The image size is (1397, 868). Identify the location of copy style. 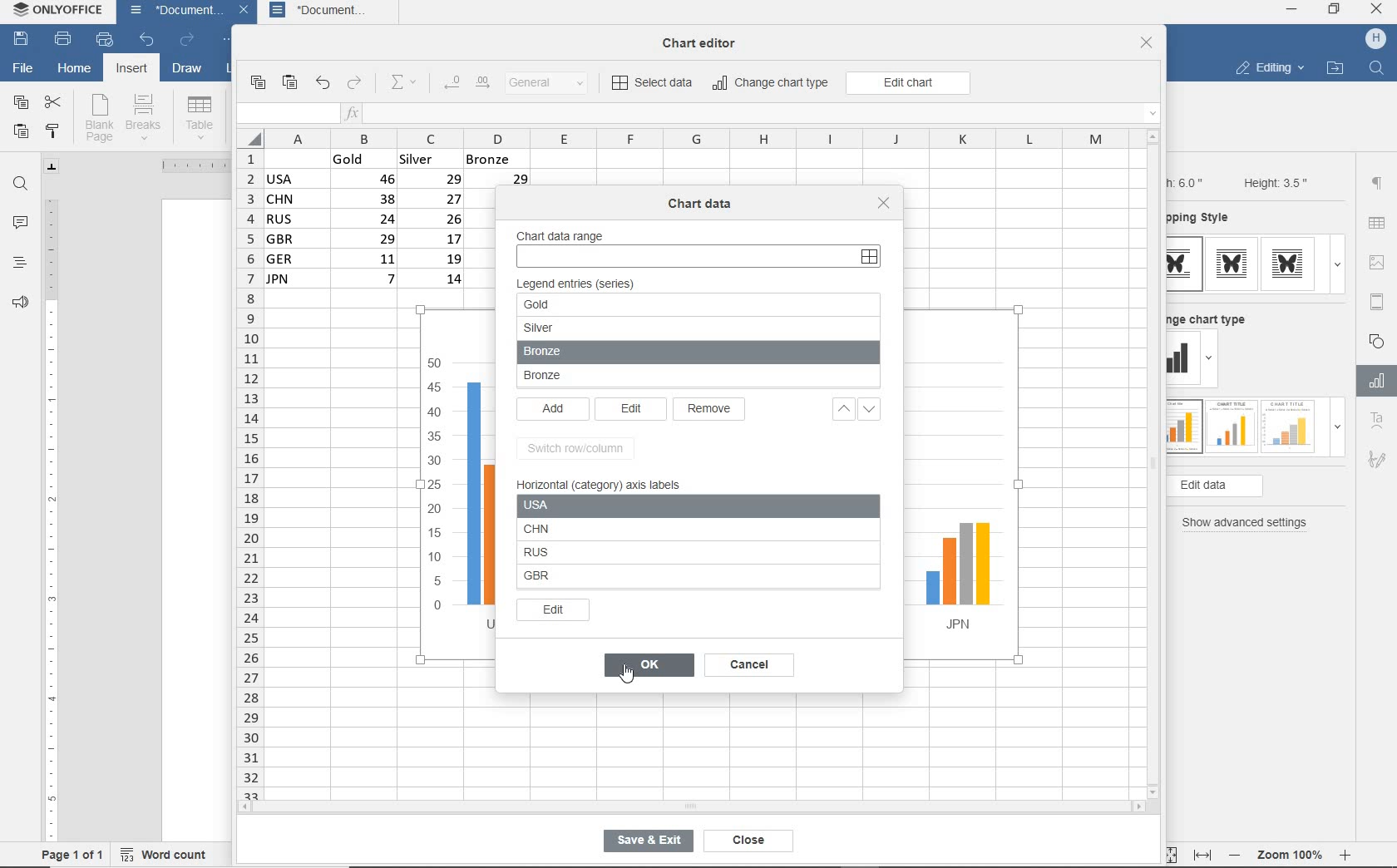
(54, 131).